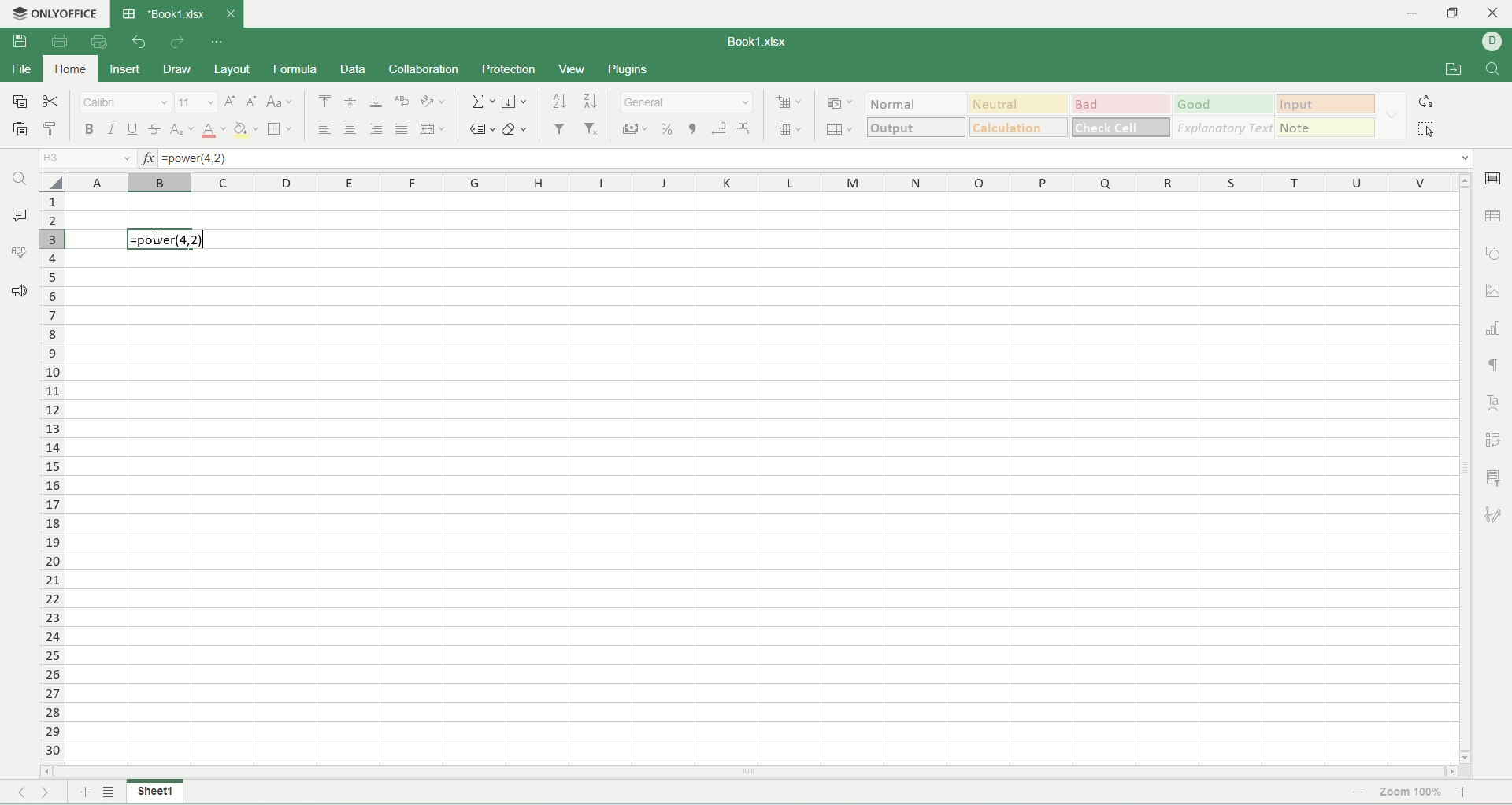 Image resolution: width=1512 pixels, height=805 pixels. I want to click on normal, so click(918, 103).